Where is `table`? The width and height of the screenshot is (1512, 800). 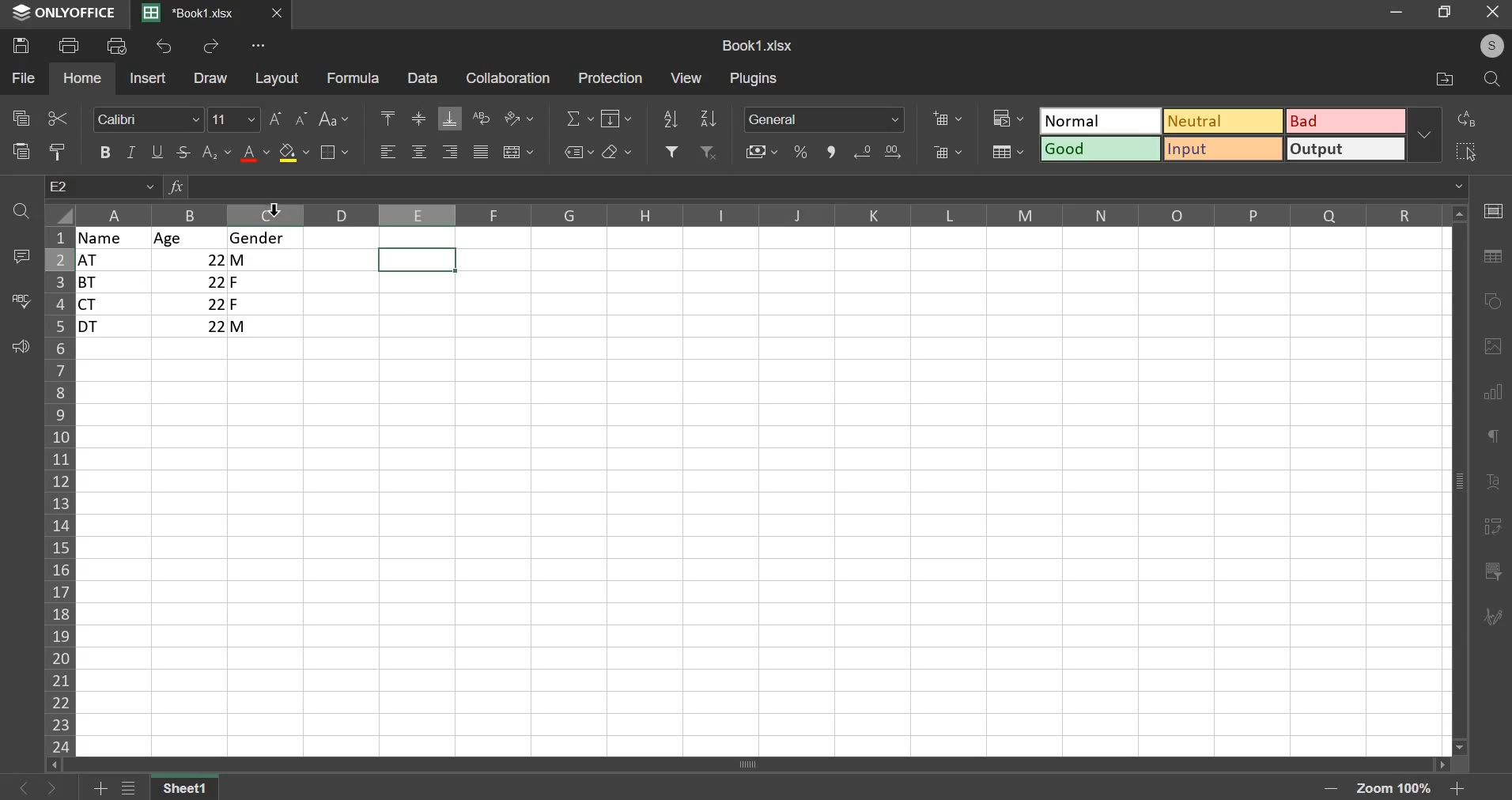
table is located at coordinates (1491, 258).